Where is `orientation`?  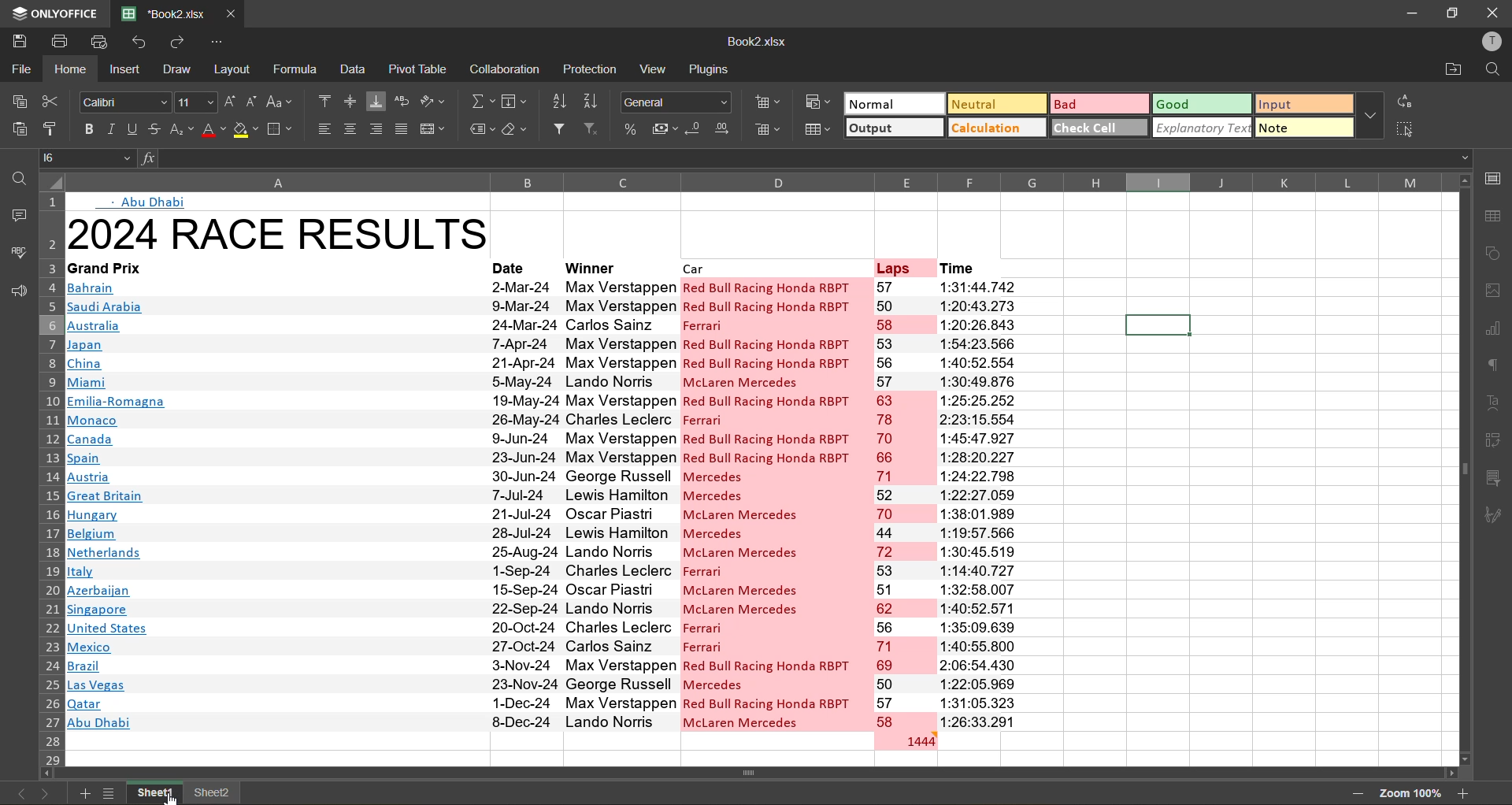
orientation is located at coordinates (435, 104).